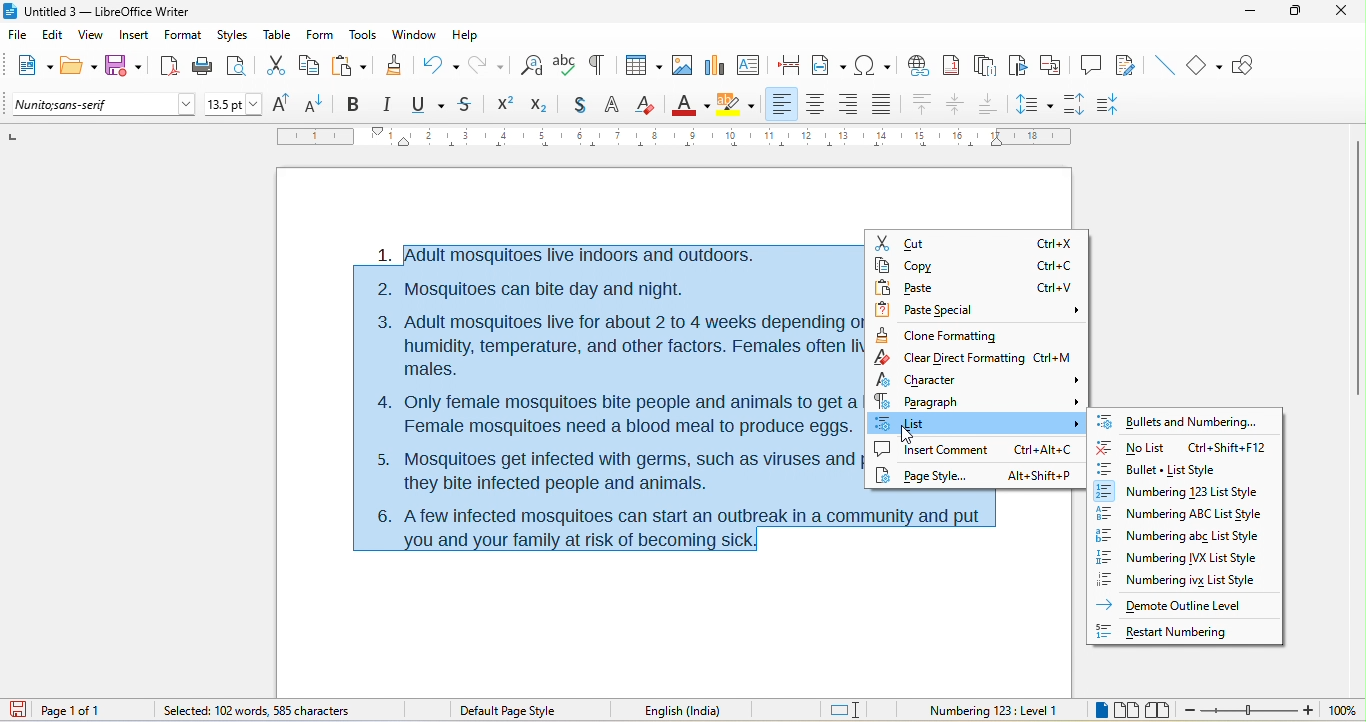  What do you see at coordinates (974, 379) in the screenshot?
I see `character` at bounding box center [974, 379].